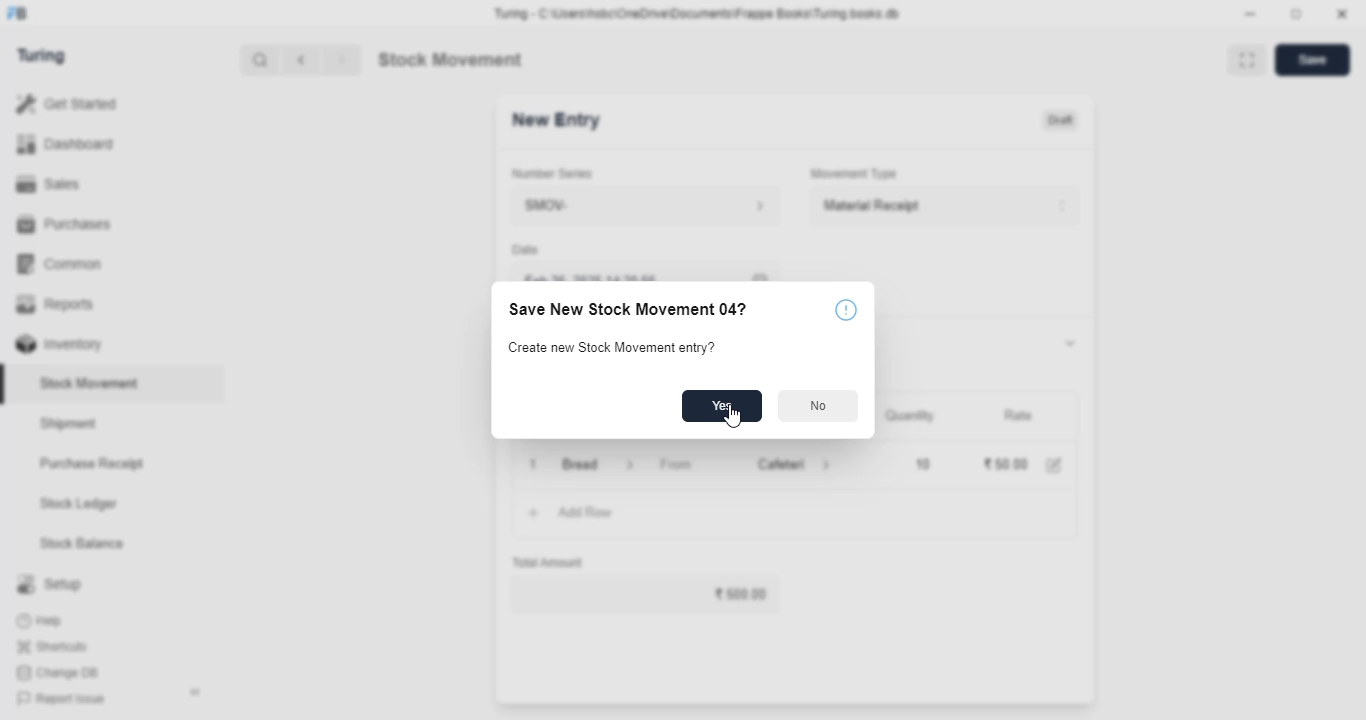 The width and height of the screenshot is (1366, 720). Describe the element at coordinates (612, 348) in the screenshot. I see `Create new Stock Movement entry?` at that location.